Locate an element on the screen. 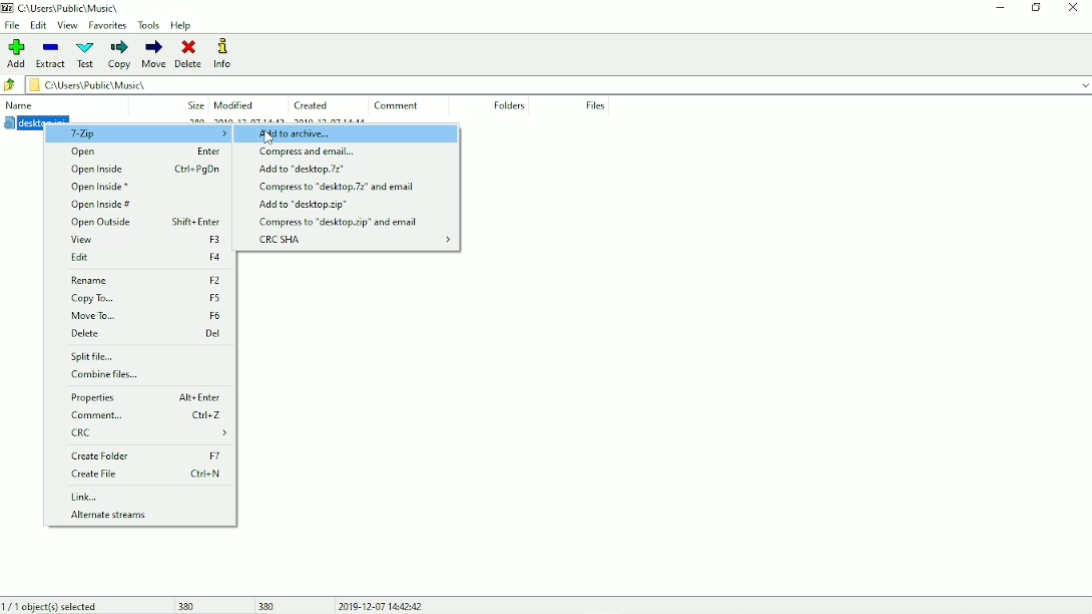 The height and width of the screenshot is (614, 1092). Compress to "desktop.7z" and email is located at coordinates (340, 188).